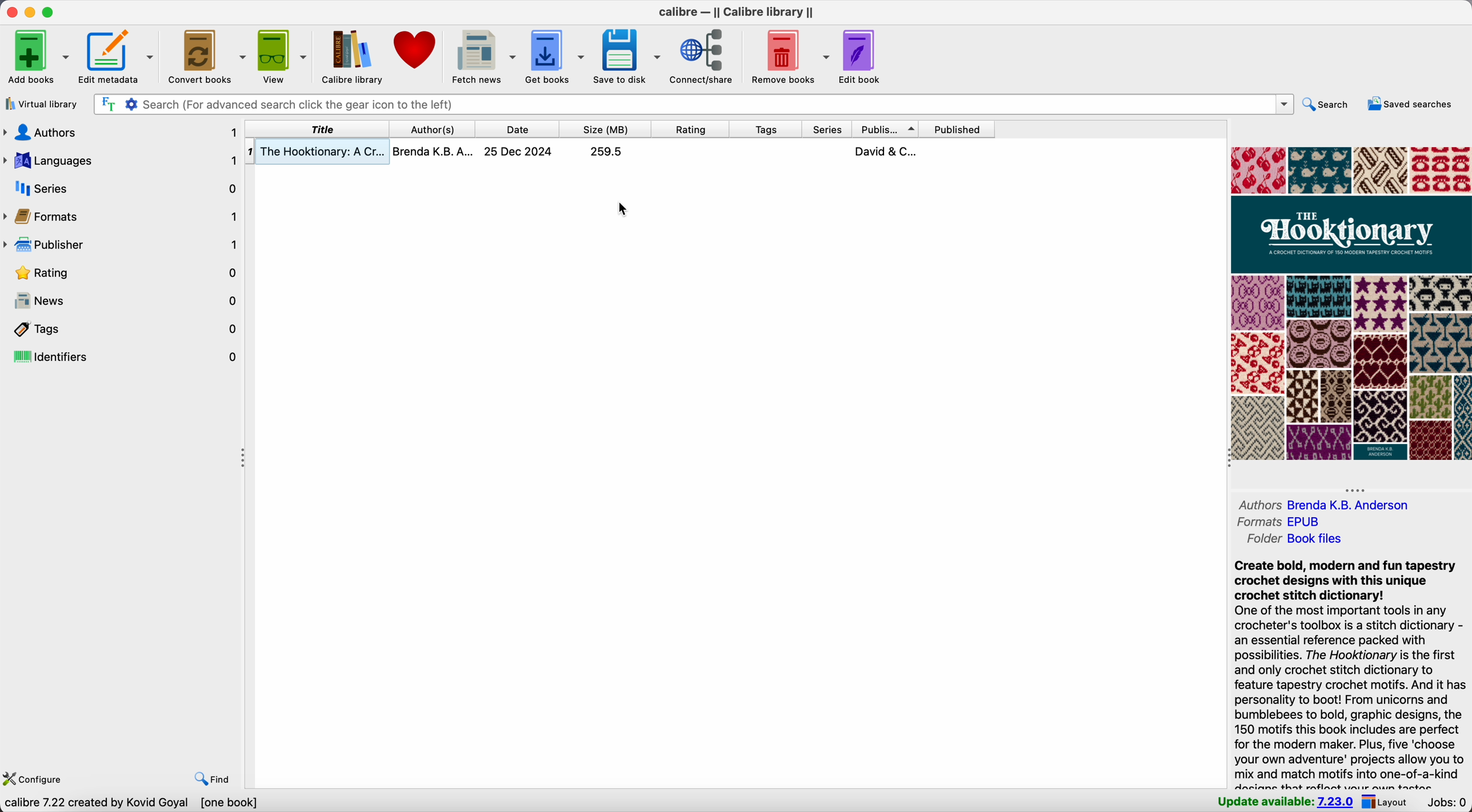 The width and height of the screenshot is (1472, 812). I want to click on cursor, so click(625, 211).